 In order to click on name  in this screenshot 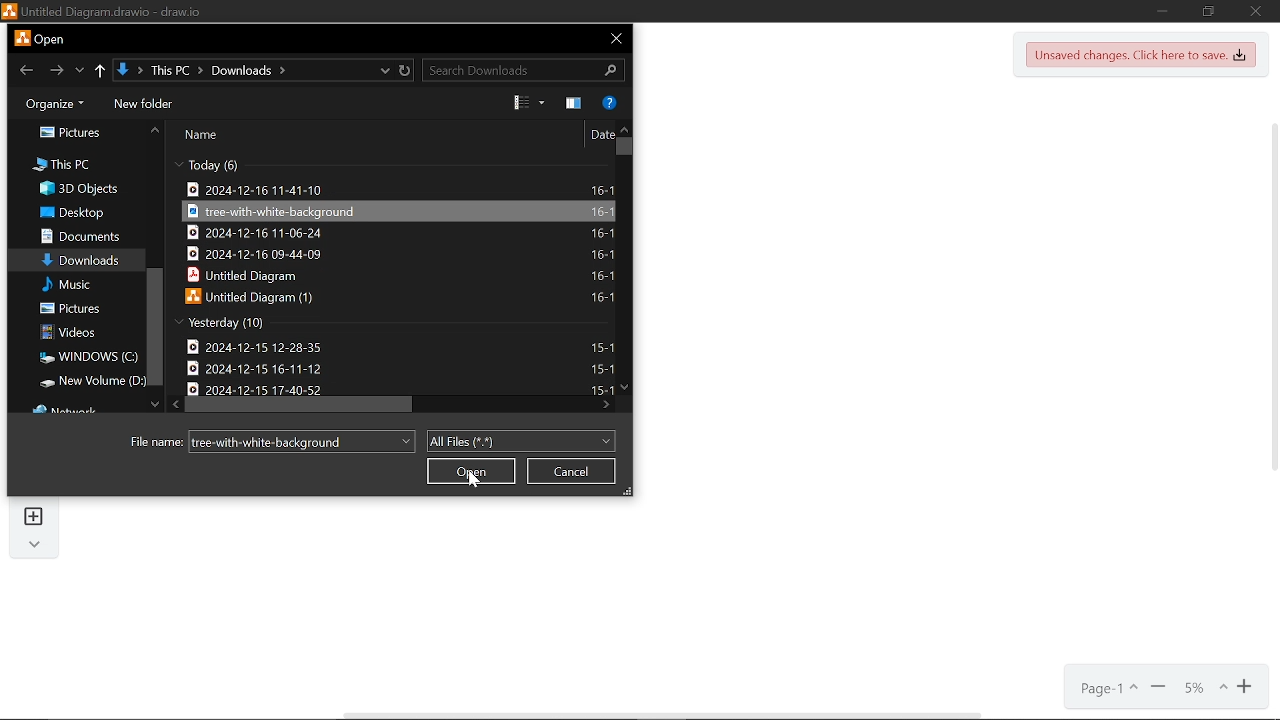, I will do `click(202, 135)`.